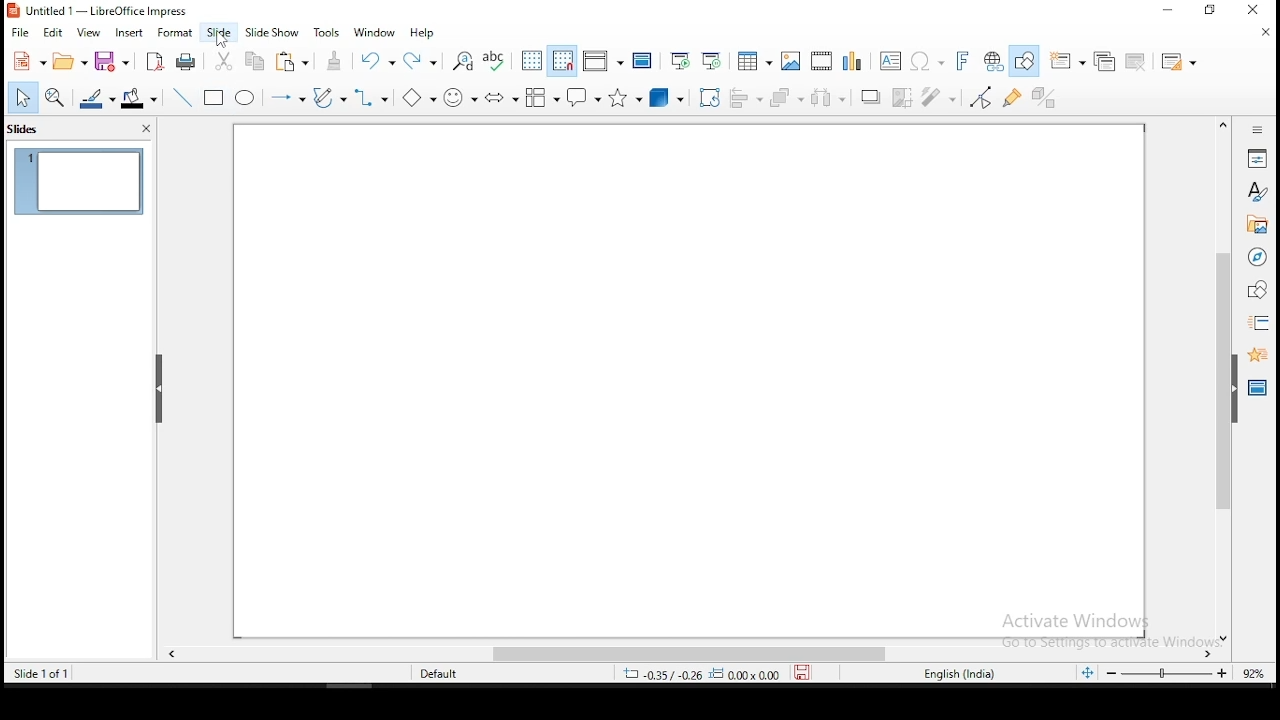 This screenshot has height=720, width=1280. I want to click on english (india), so click(959, 676).